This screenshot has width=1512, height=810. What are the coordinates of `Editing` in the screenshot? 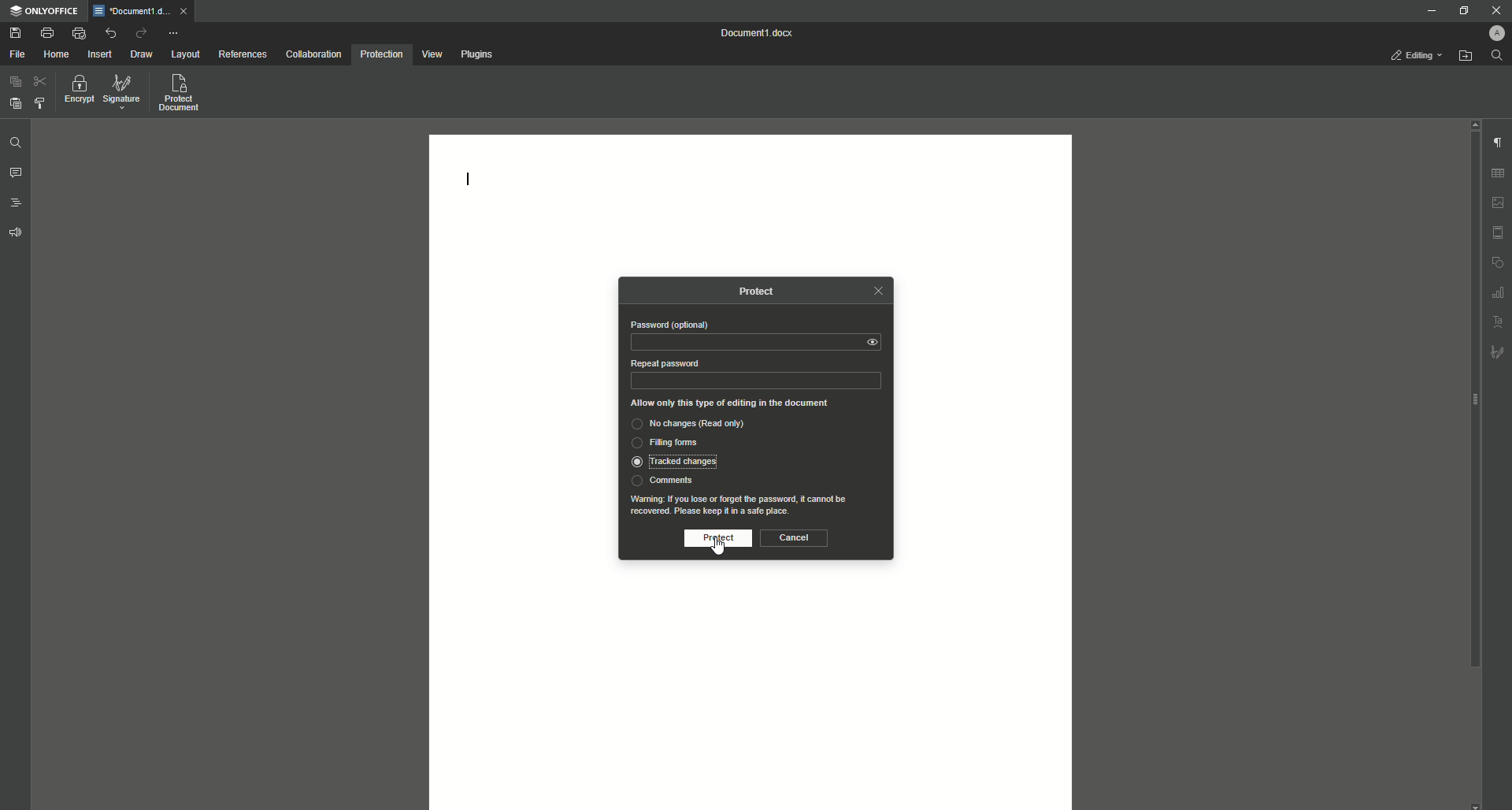 It's located at (1416, 56).